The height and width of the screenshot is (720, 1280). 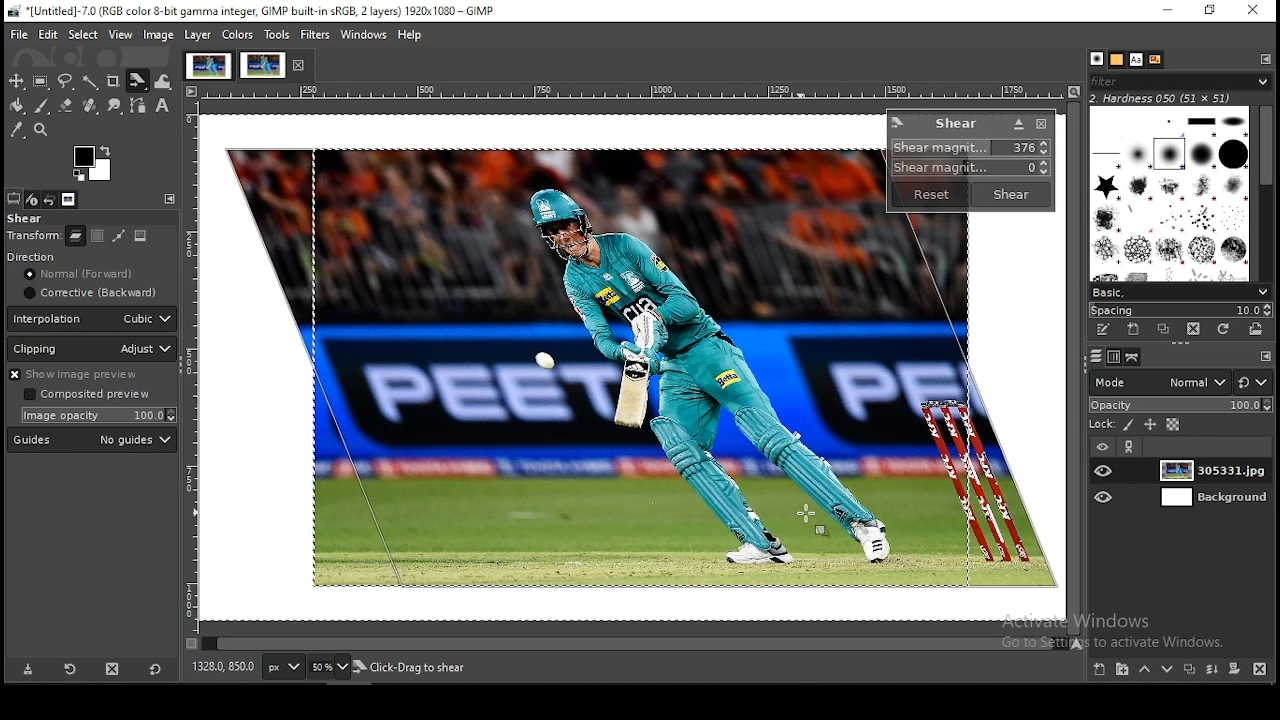 I want to click on patterns, so click(x=1095, y=58).